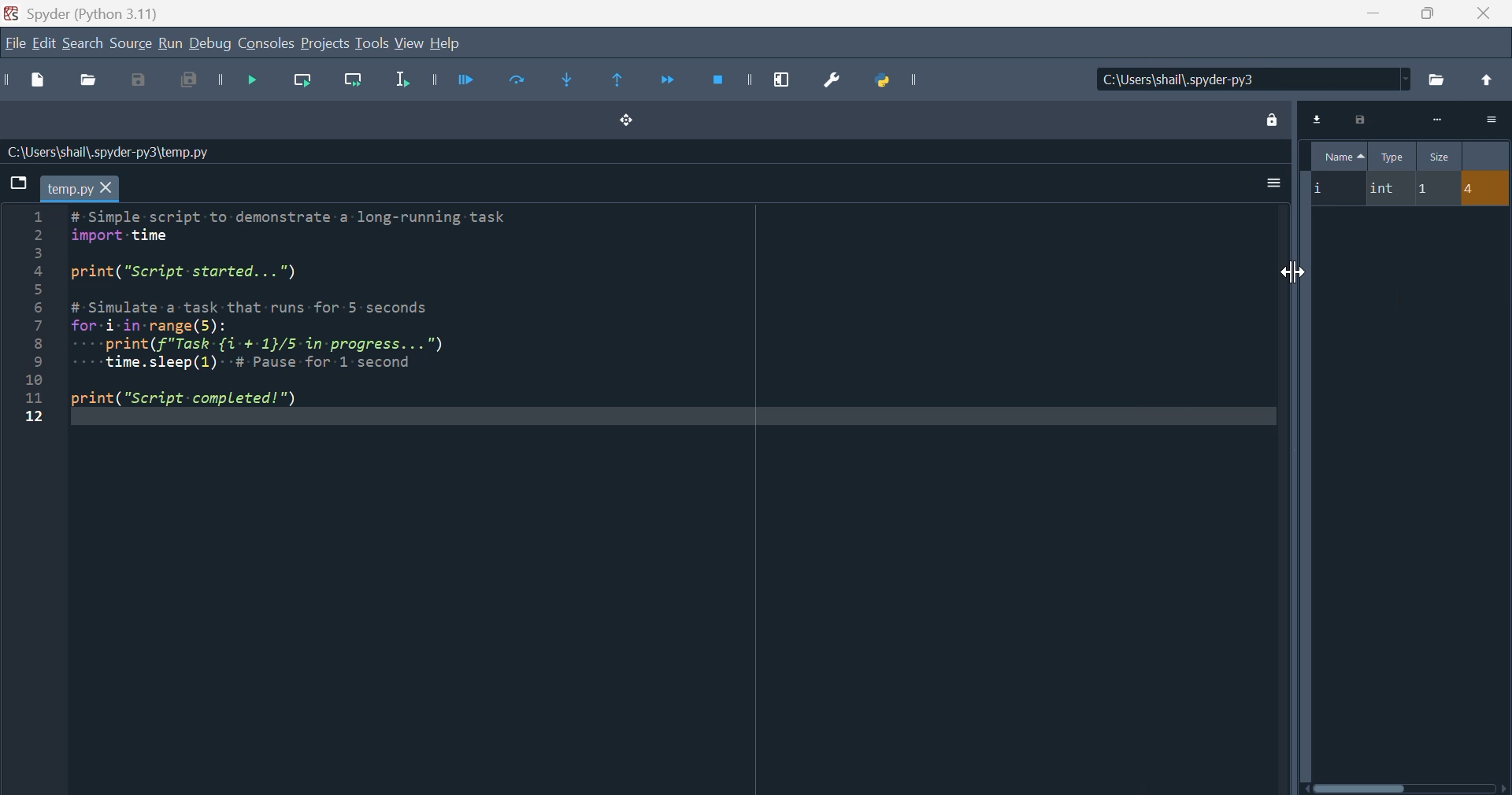 This screenshot has height=795, width=1512. What do you see at coordinates (621, 78) in the screenshot?
I see `Execute until same function returns` at bounding box center [621, 78].